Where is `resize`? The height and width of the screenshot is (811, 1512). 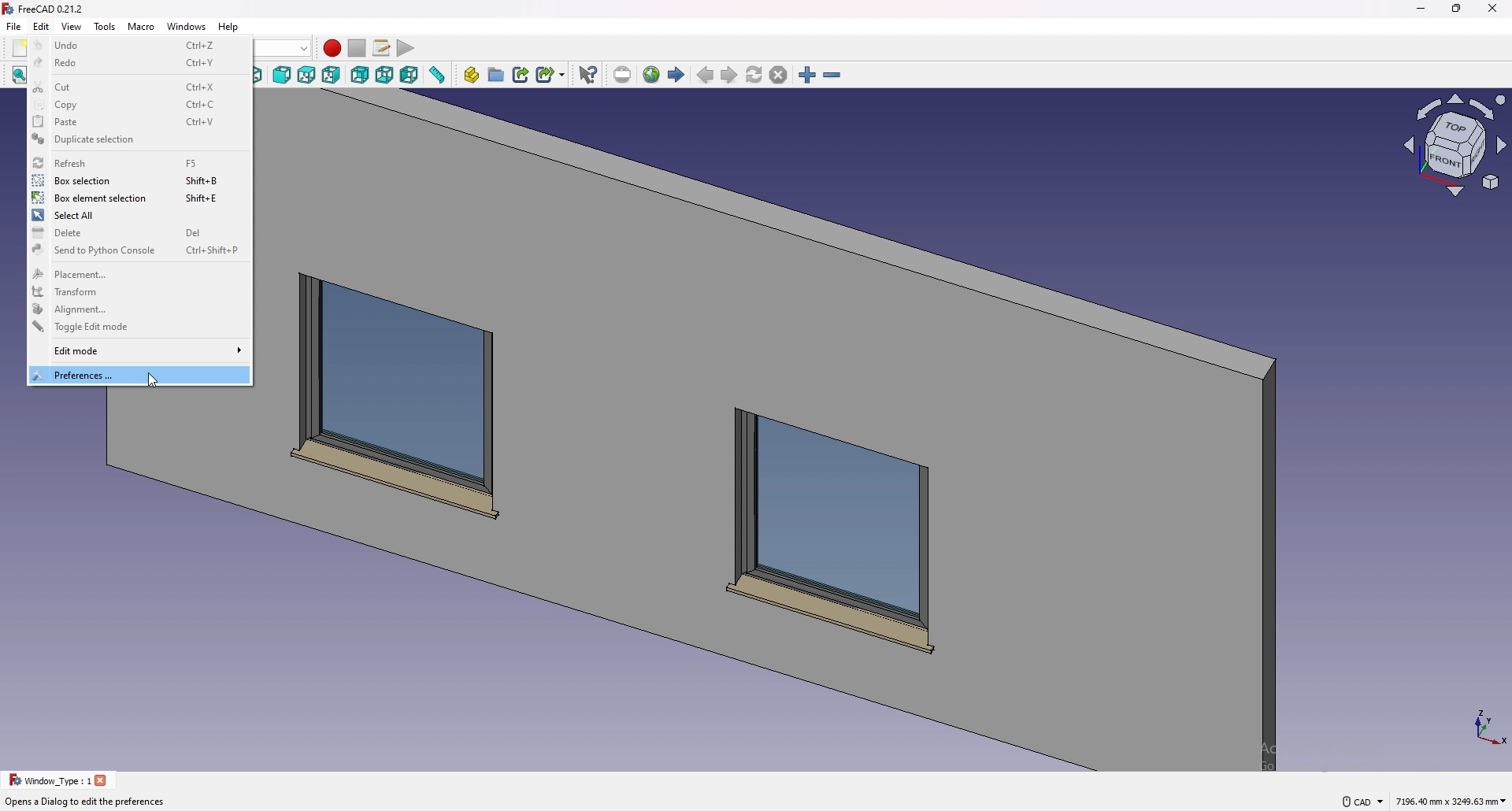 resize is located at coordinates (1457, 9).